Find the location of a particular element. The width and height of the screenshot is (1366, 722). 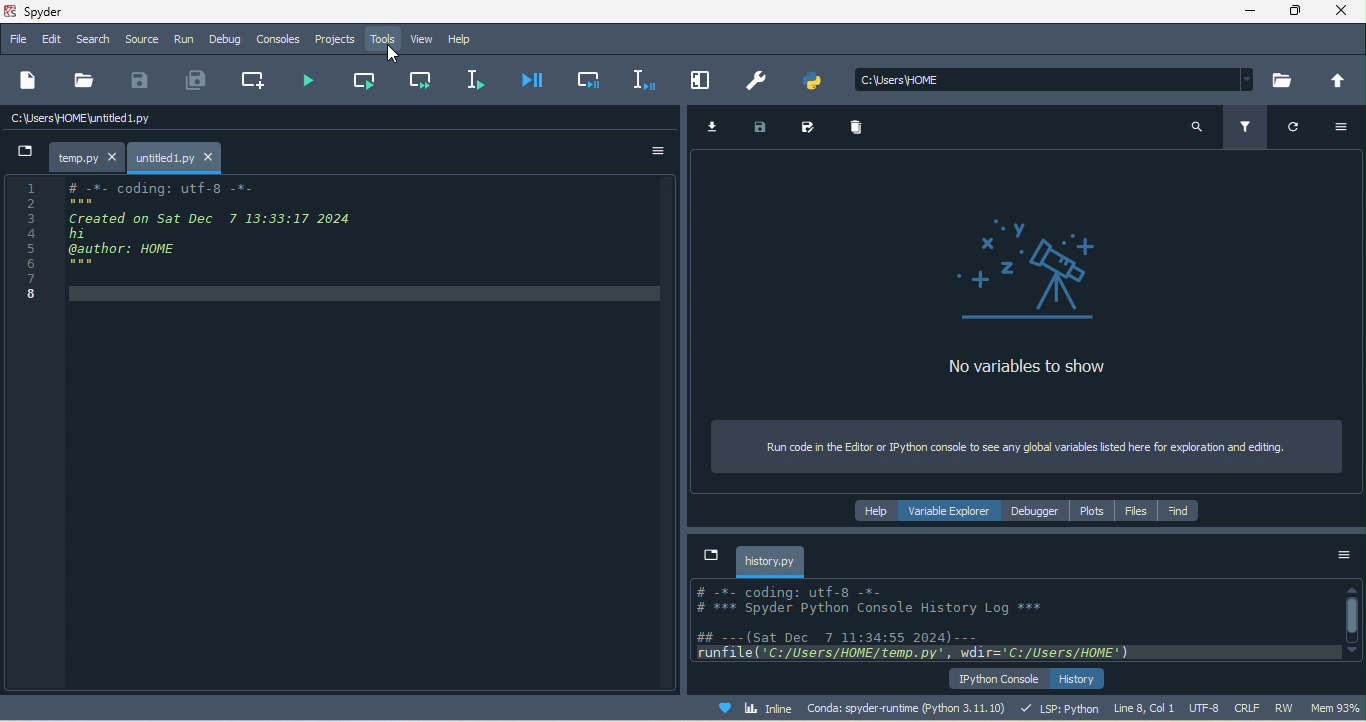

debugger is located at coordinates (1037, 511).